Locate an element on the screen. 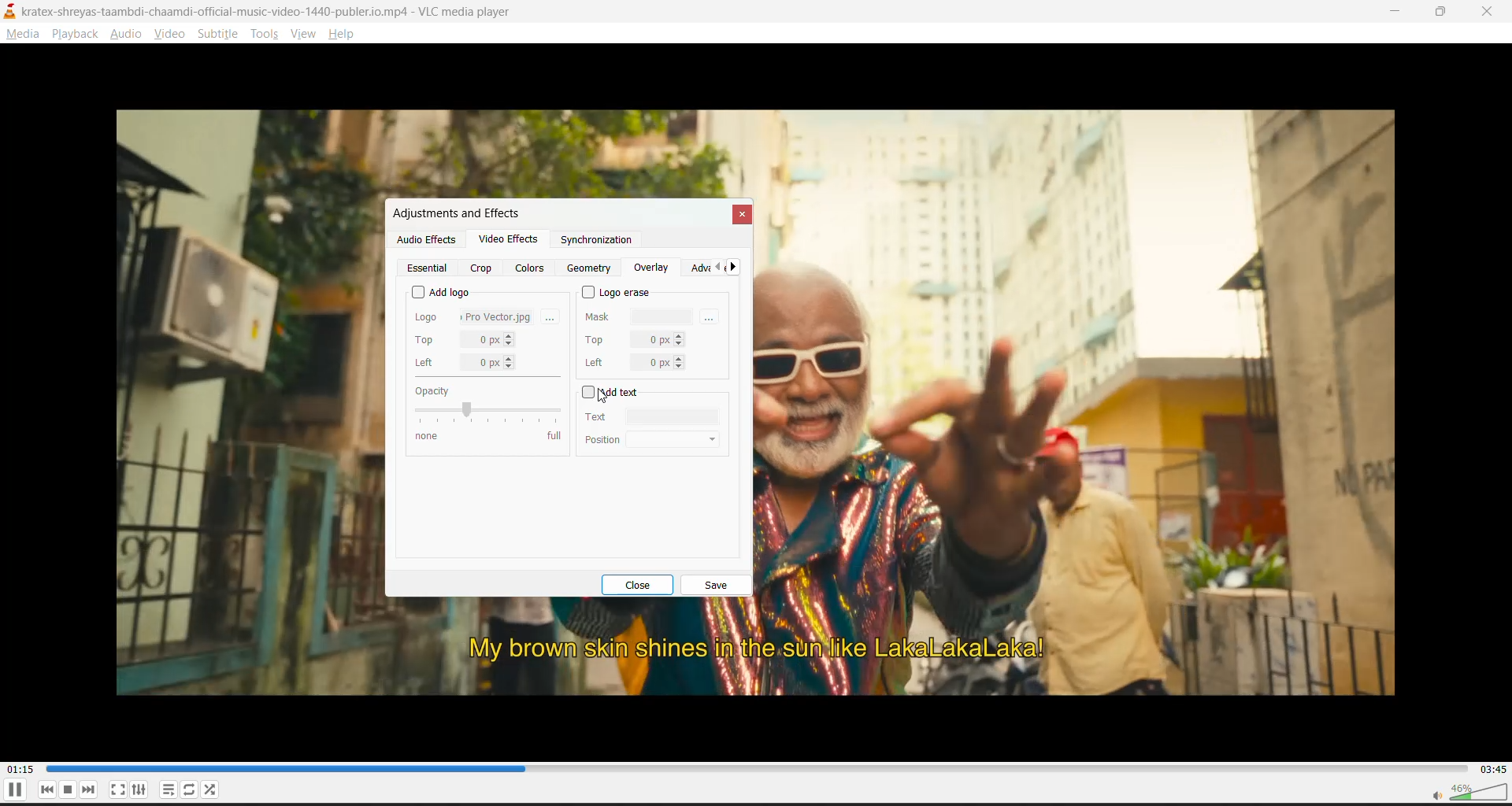 This screenshot has height=806, width=1512. add logo is located at coordinates (441, 290).